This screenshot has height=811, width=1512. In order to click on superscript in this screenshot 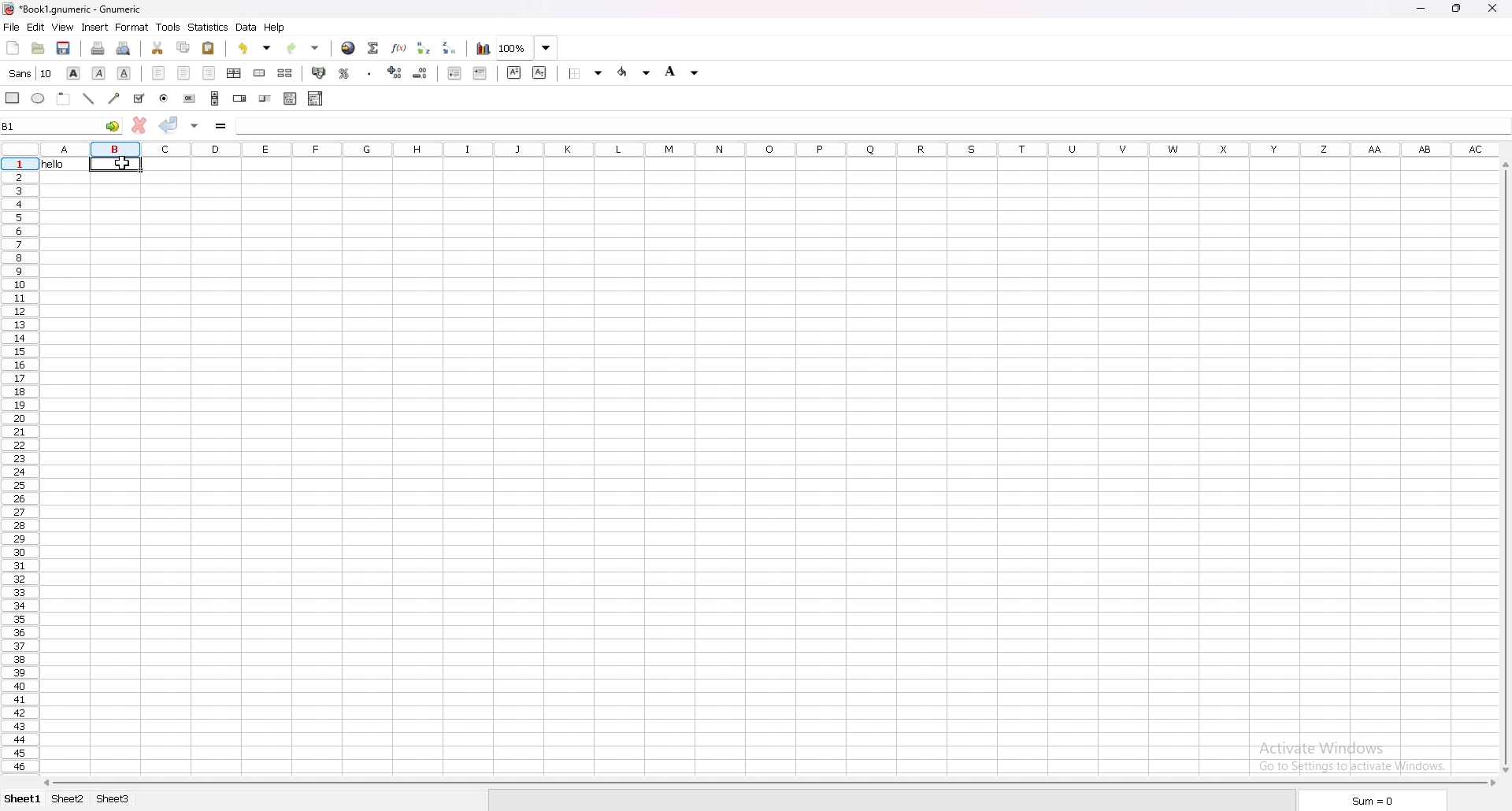, I will do `click(514, 72)`.